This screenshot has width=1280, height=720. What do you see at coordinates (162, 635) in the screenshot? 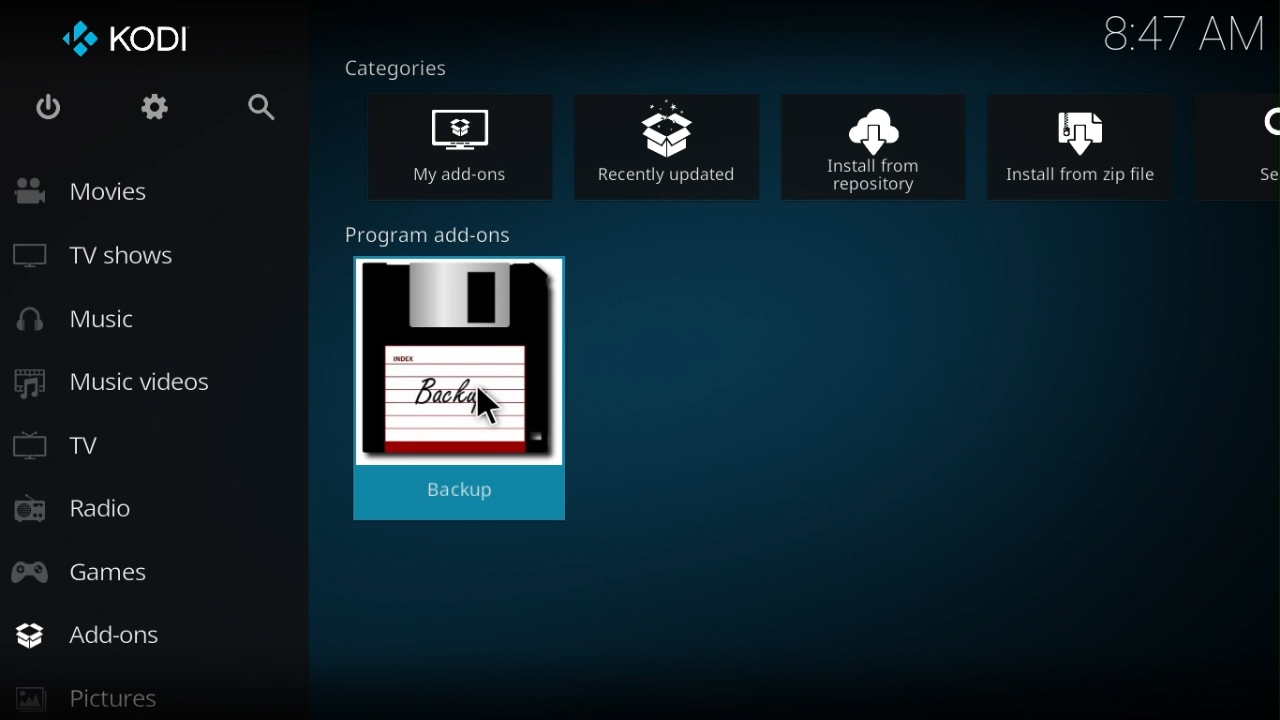
I see `add-ons` at bounding box center [162, 635].